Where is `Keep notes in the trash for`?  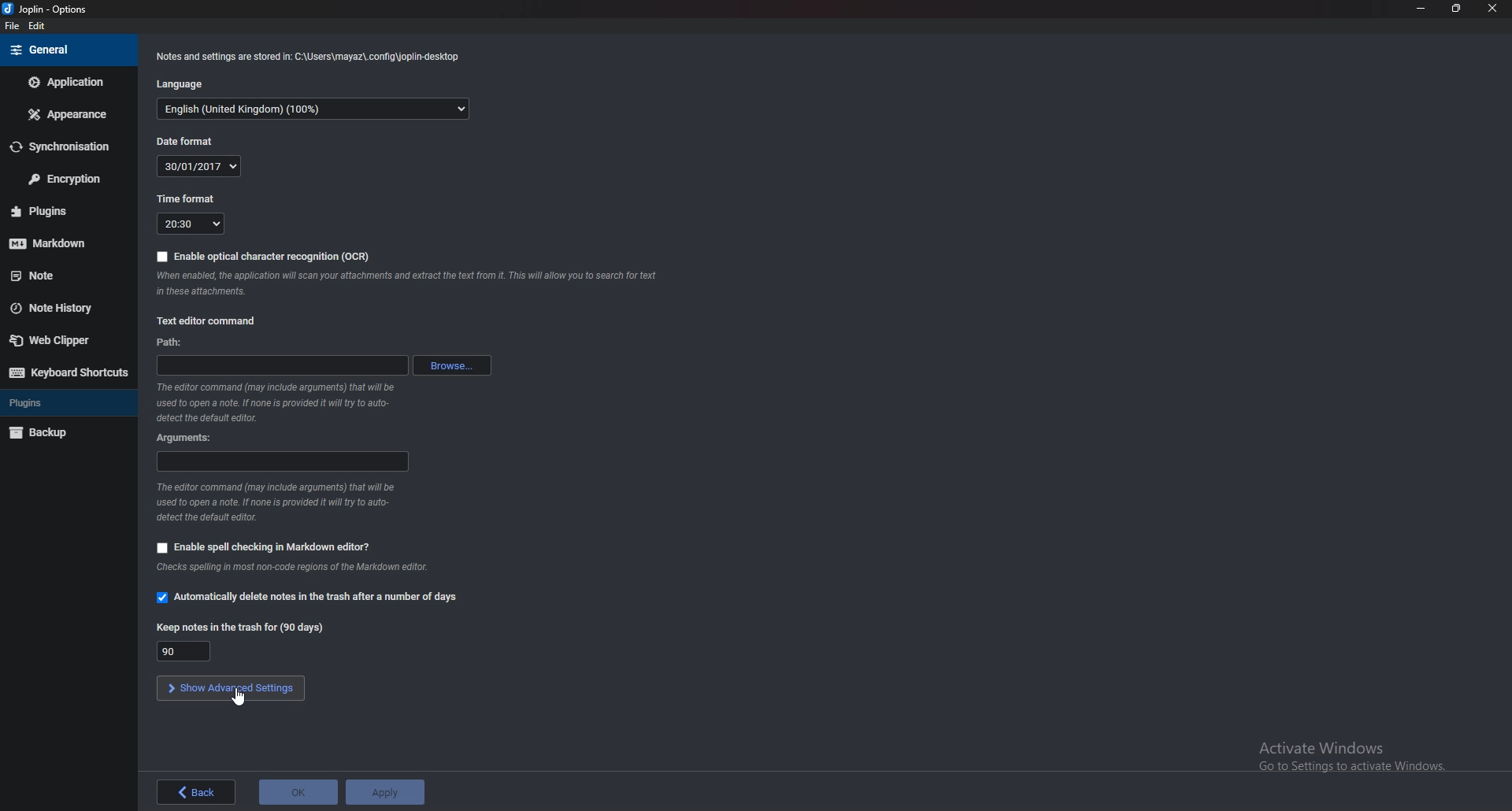
Keep notes in the trash for is located at coordinates (240, 628).